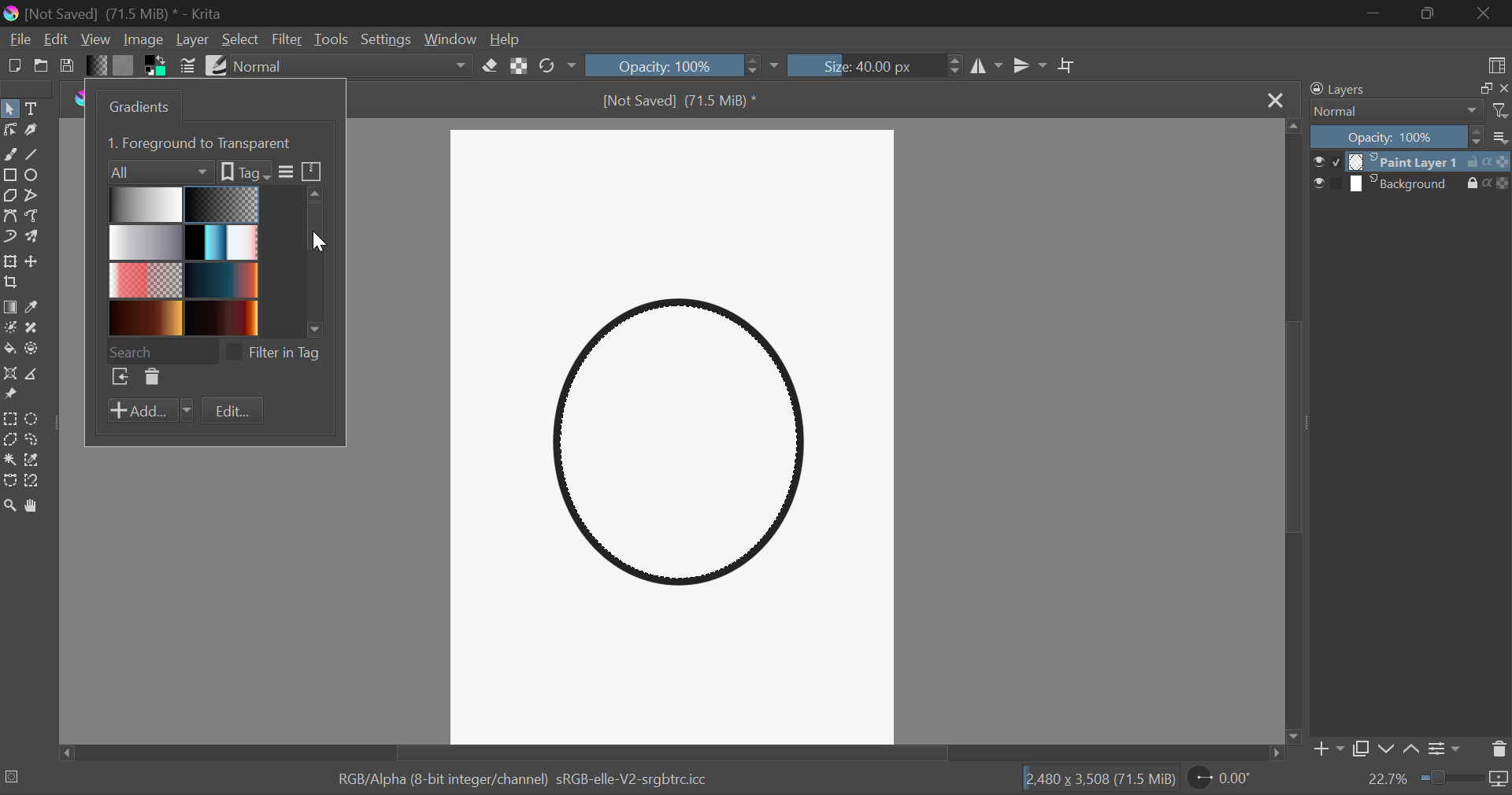  I want to click on Pattern, so click(124, 66).